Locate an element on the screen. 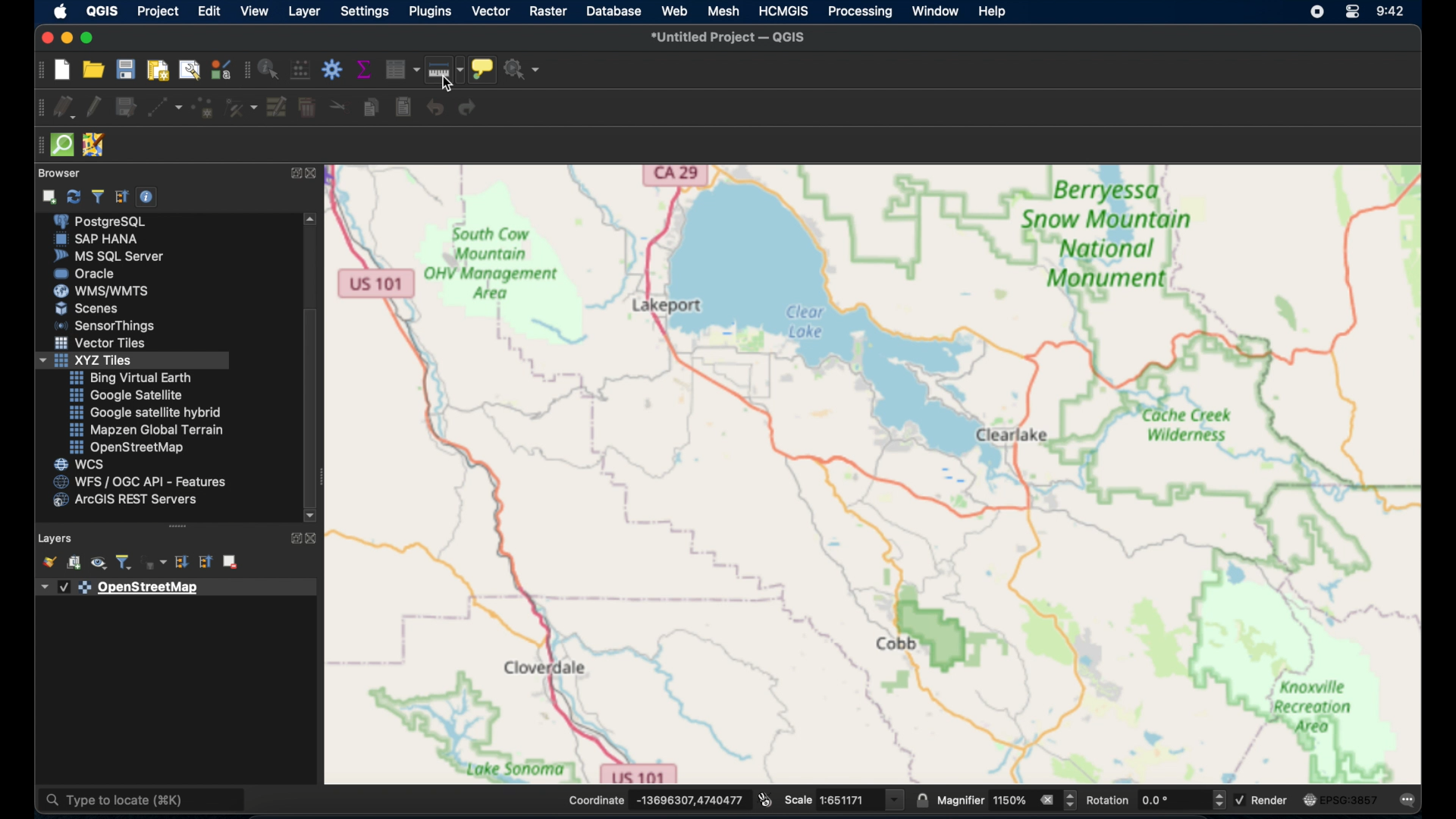  layers is located at coordinates (55, 536).